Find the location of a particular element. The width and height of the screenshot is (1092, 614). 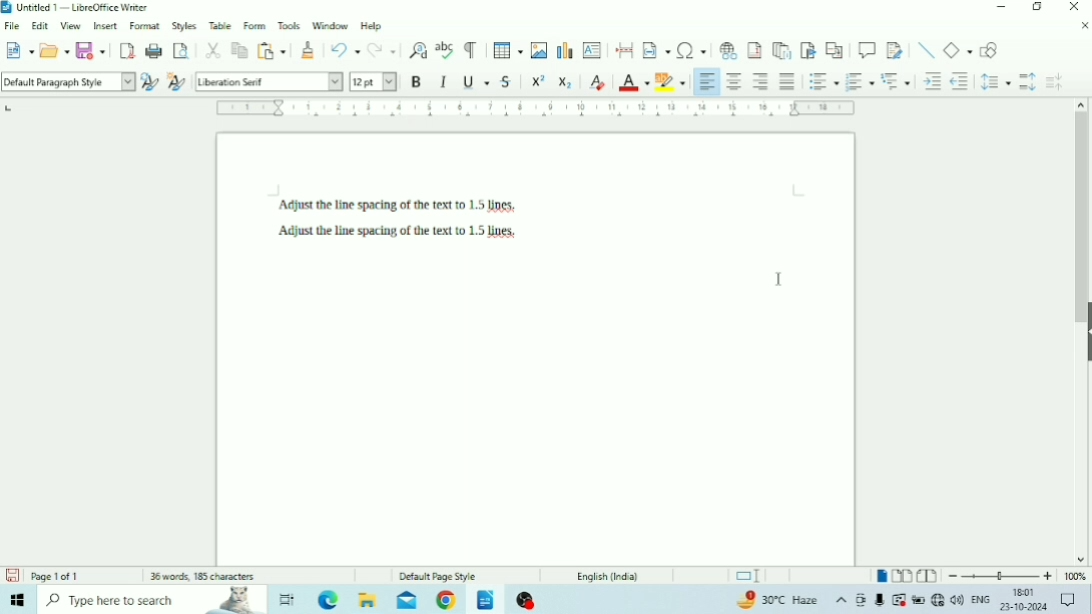

Insert Table is located at coordinates (508, 49).